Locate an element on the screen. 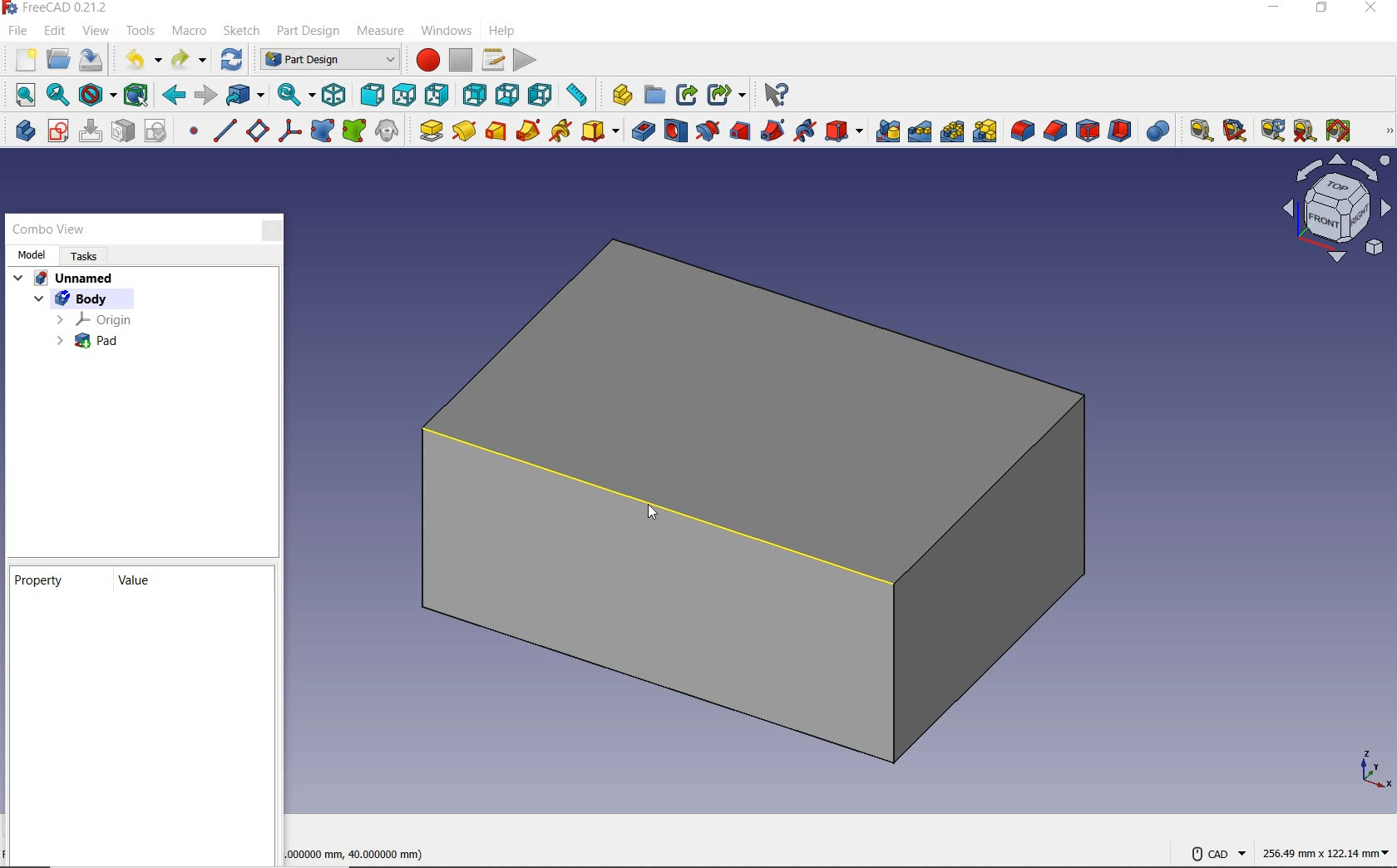 This screenshot has height=868, width=1397. xyz points is located at coordinates (1372, 771).